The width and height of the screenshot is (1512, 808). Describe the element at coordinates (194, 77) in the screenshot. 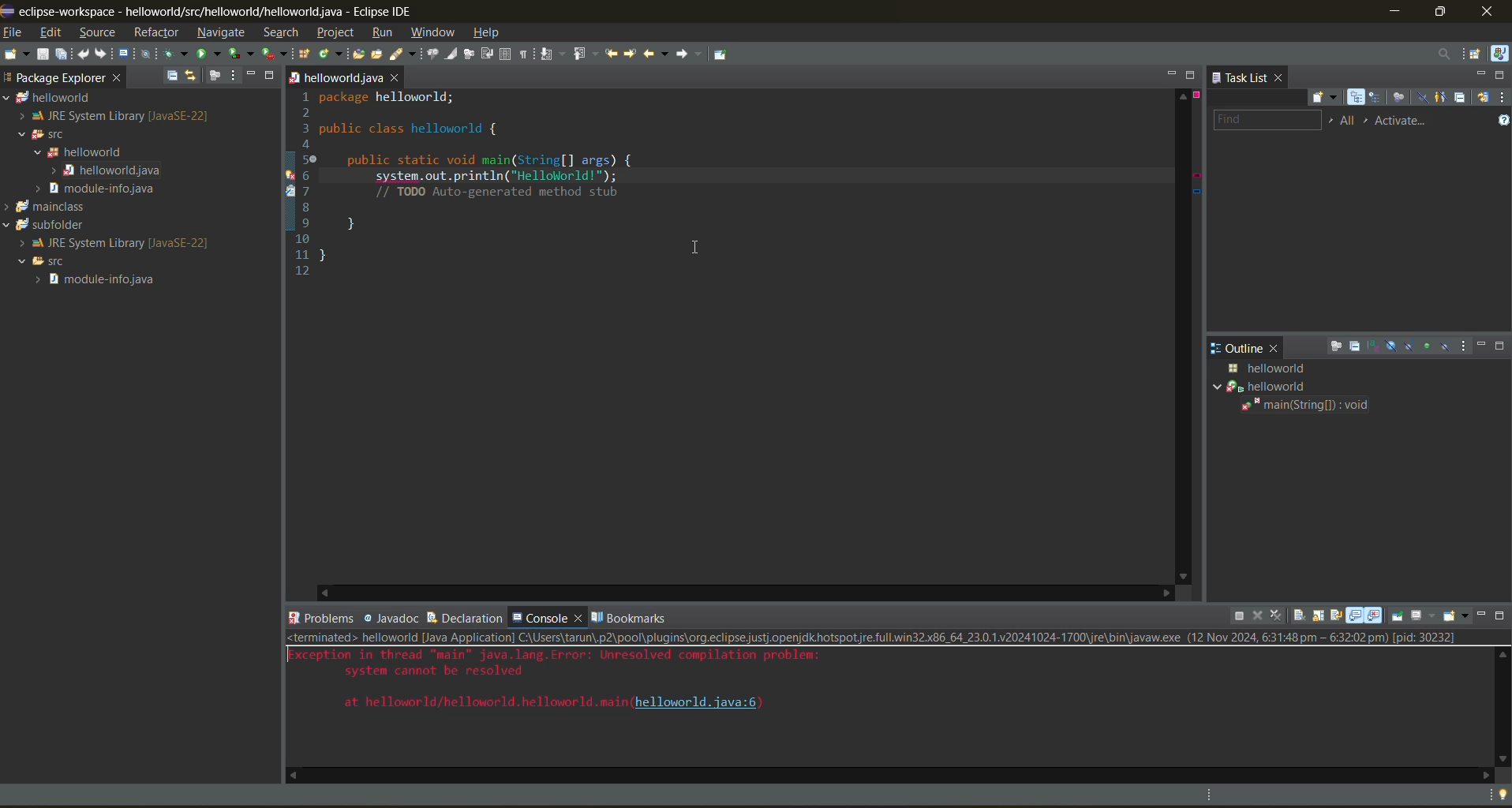

I see `link with editor` at that location.